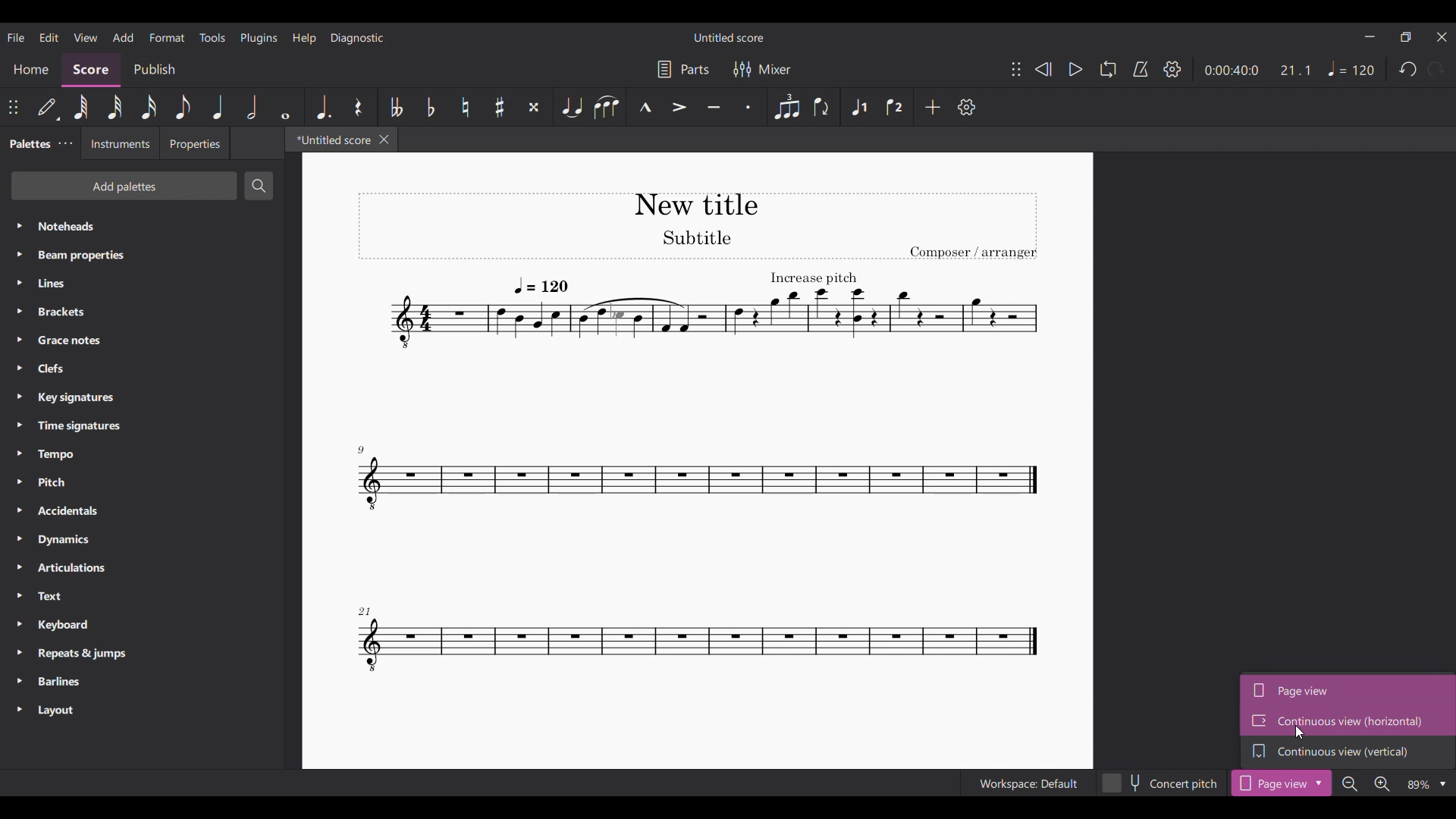 The height and width of the screenshot is (819, 1456). Describe the element at coordinates (285, 107) in the screenshot. I see `Whole note` at that location.